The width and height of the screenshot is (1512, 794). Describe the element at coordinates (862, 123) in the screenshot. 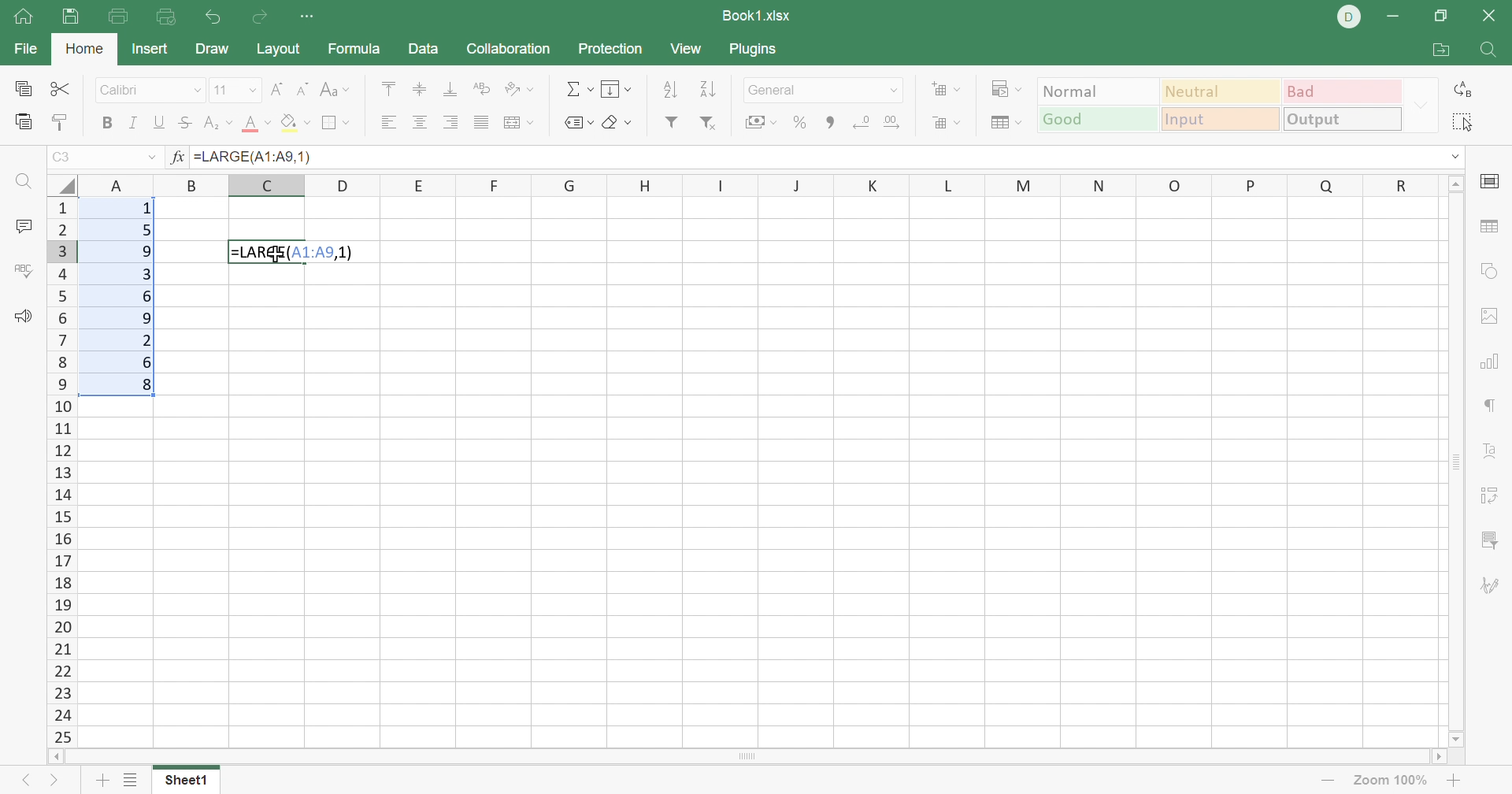

I see `Decrease decimal` at that location.